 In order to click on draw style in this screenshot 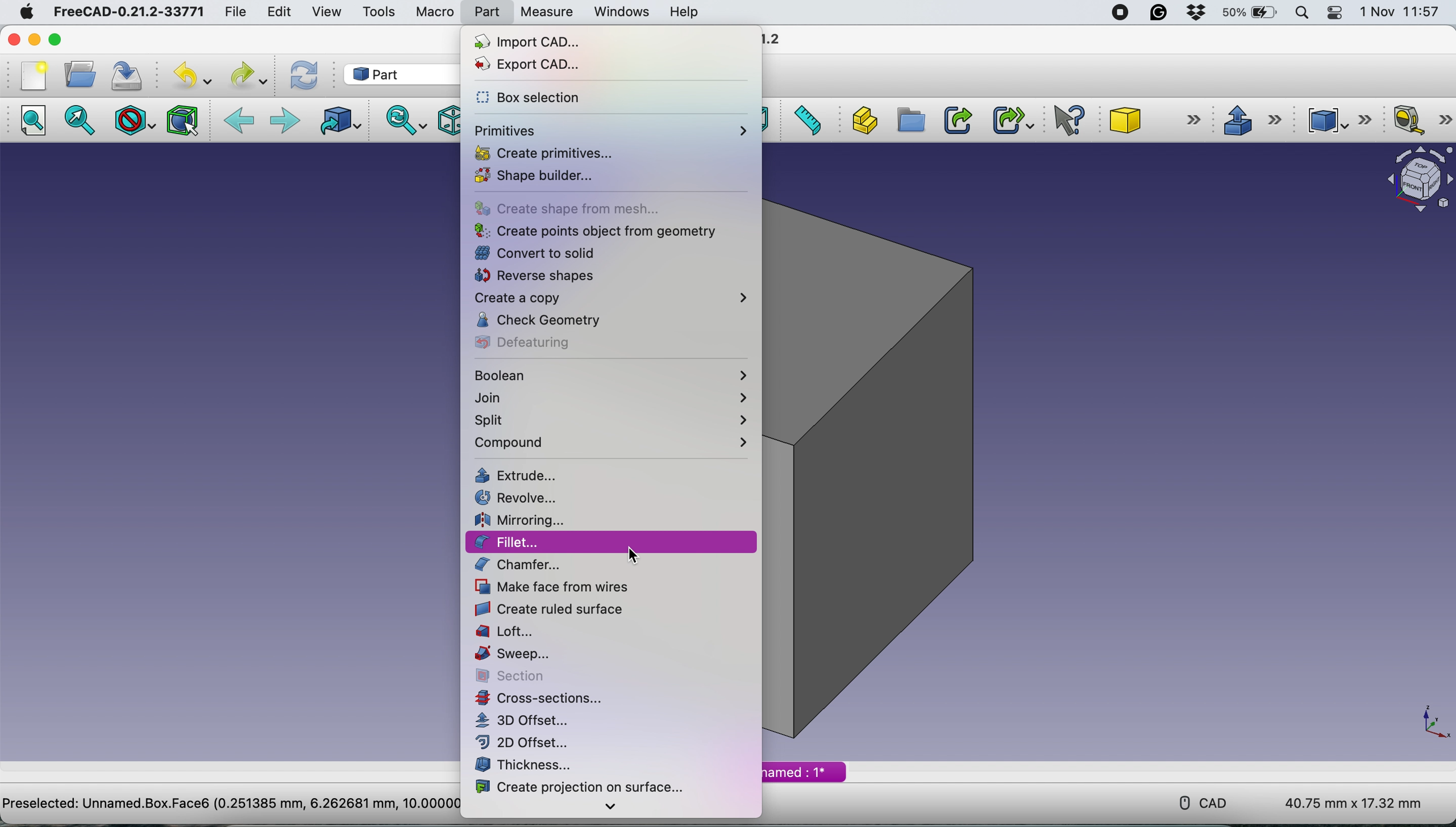, I will do `click(135, 123)`.